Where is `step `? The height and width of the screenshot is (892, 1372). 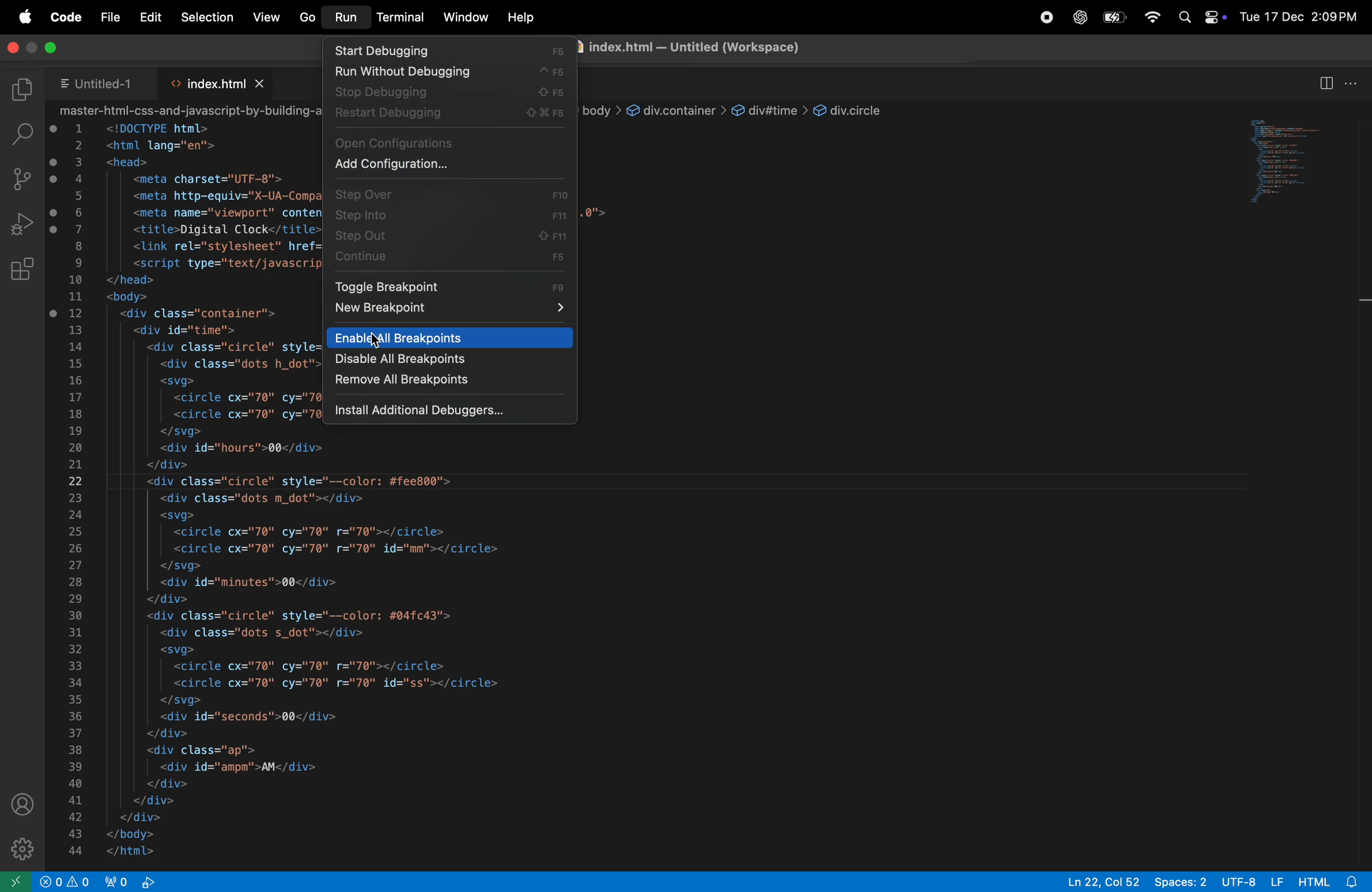
step  is located at coordinates (448, 240).